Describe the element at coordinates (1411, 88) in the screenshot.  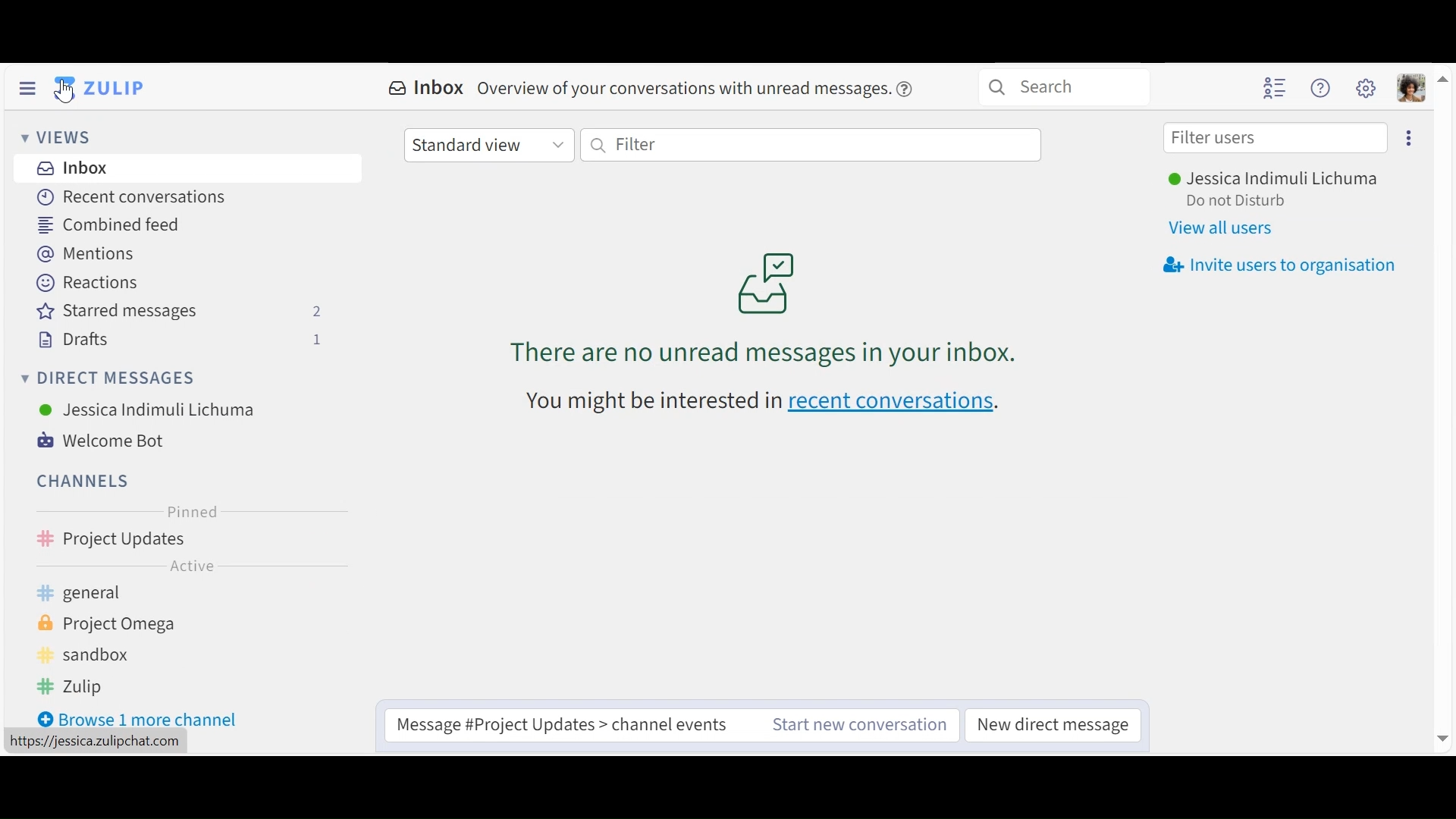
I see `Personal menu` at that location.